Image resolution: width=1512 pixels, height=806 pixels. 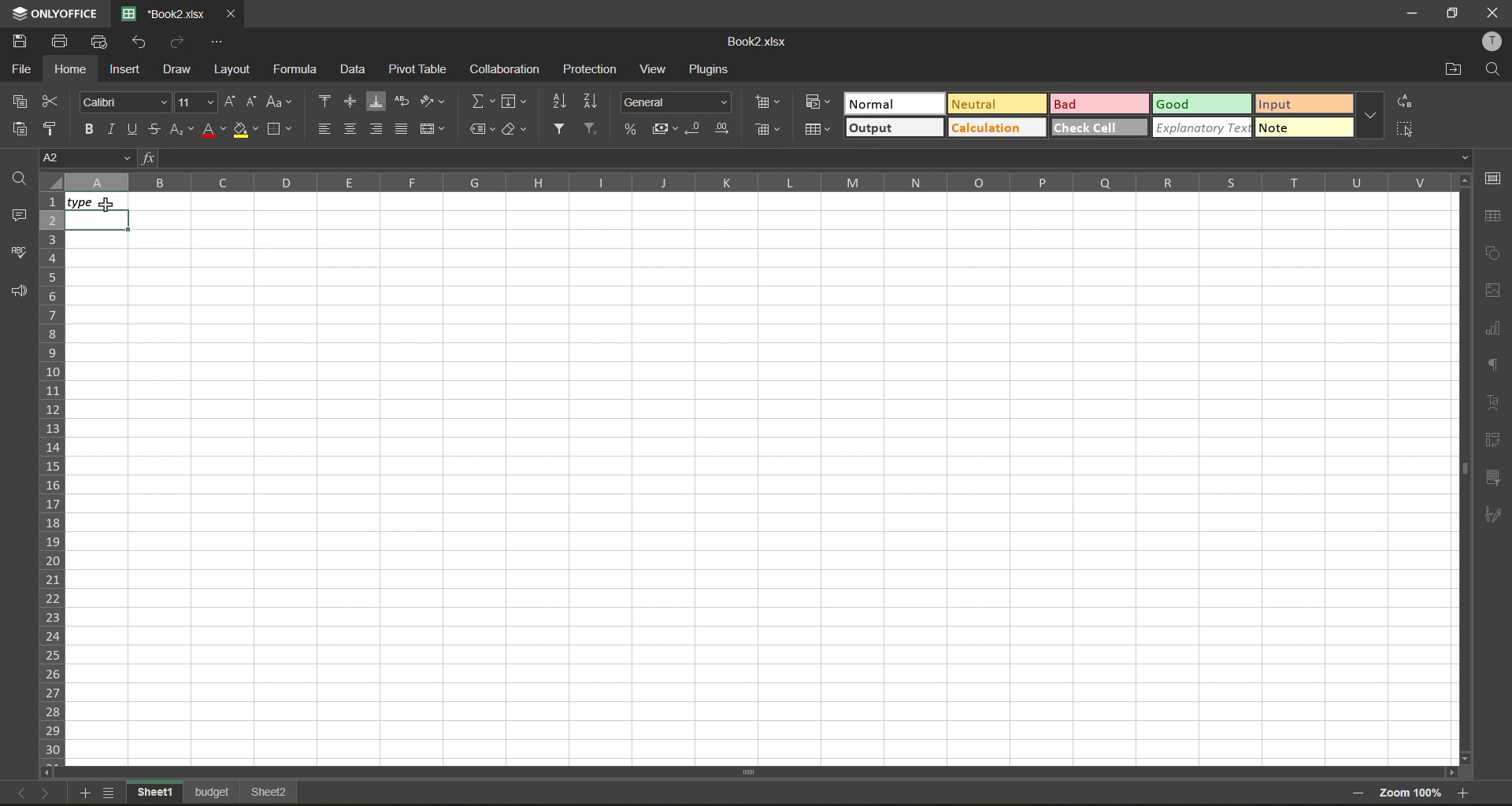 I want to click on output, so click(x=893, y=128).